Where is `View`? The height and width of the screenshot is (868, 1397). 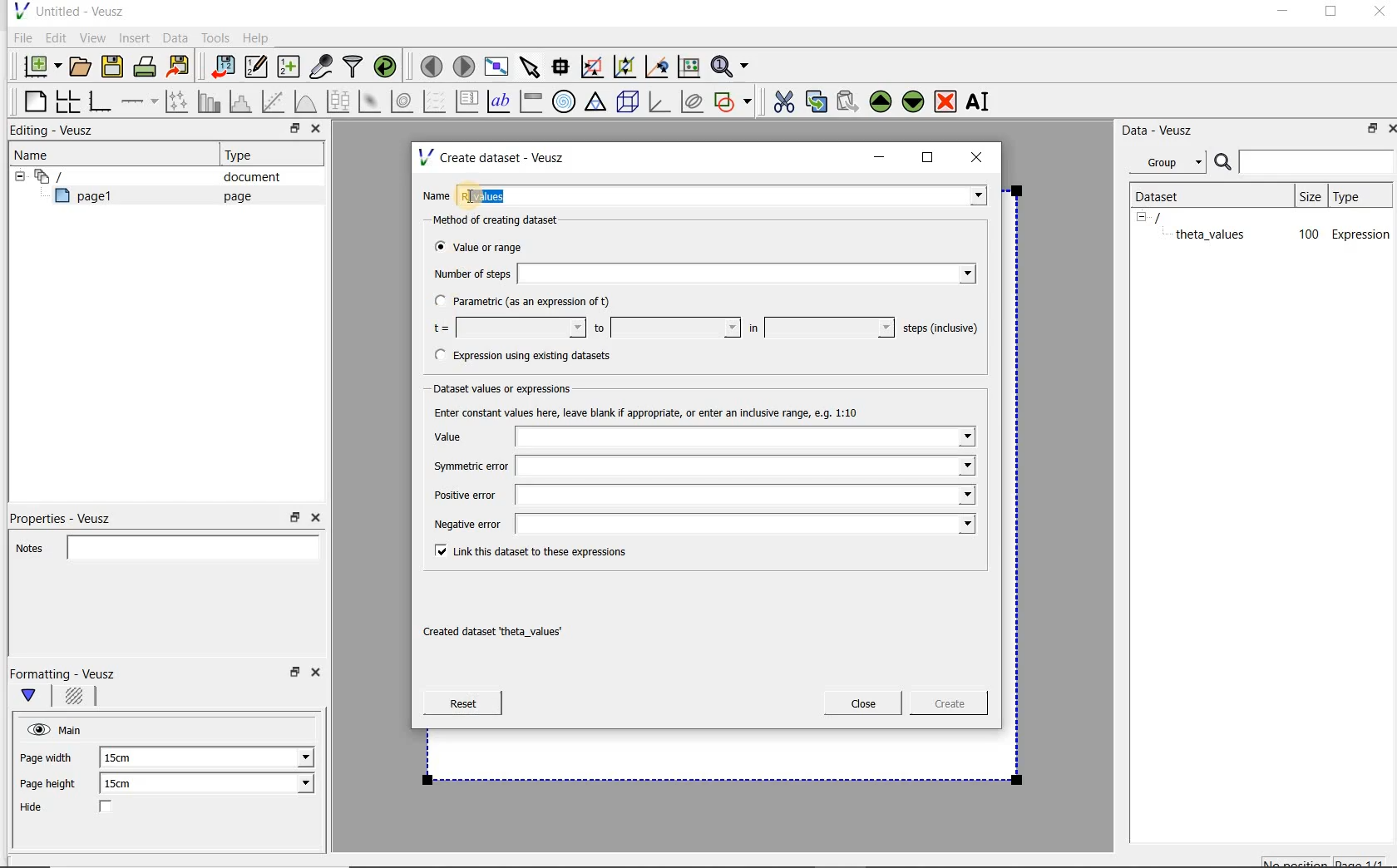
View is located at coordinates (92, 36).